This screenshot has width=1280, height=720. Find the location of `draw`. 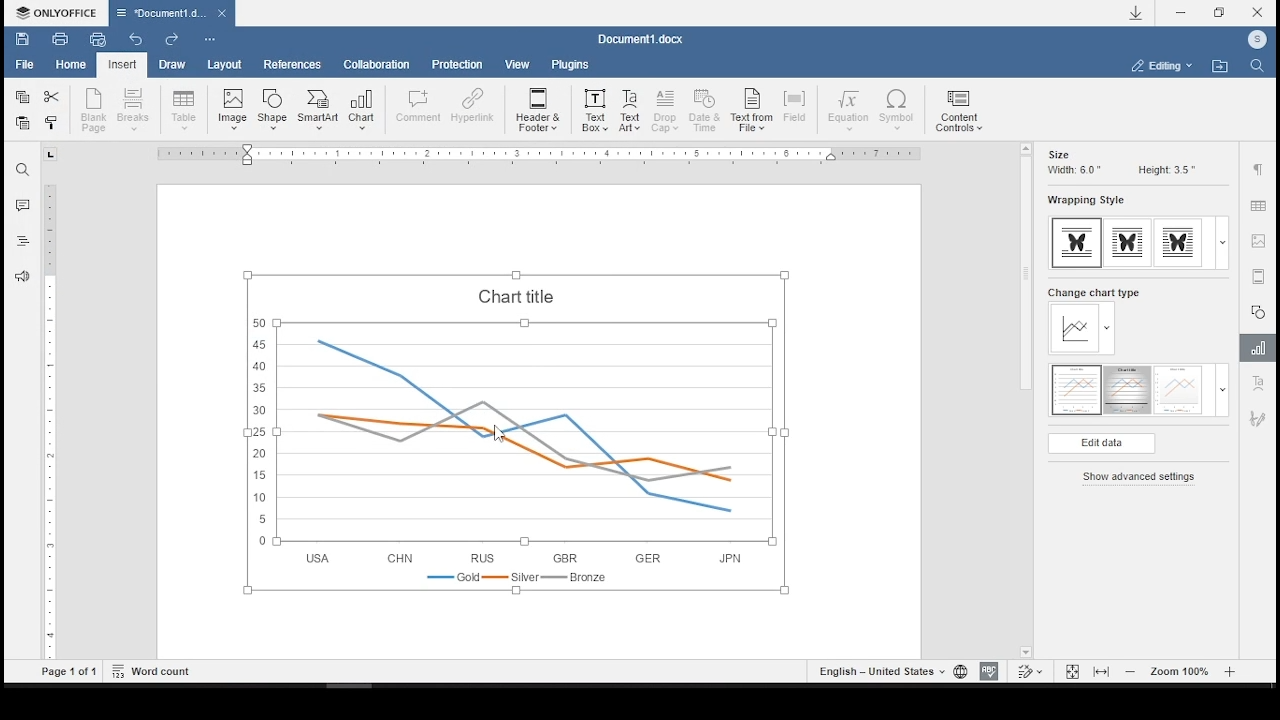

draw is located at coordinates (173, 64).